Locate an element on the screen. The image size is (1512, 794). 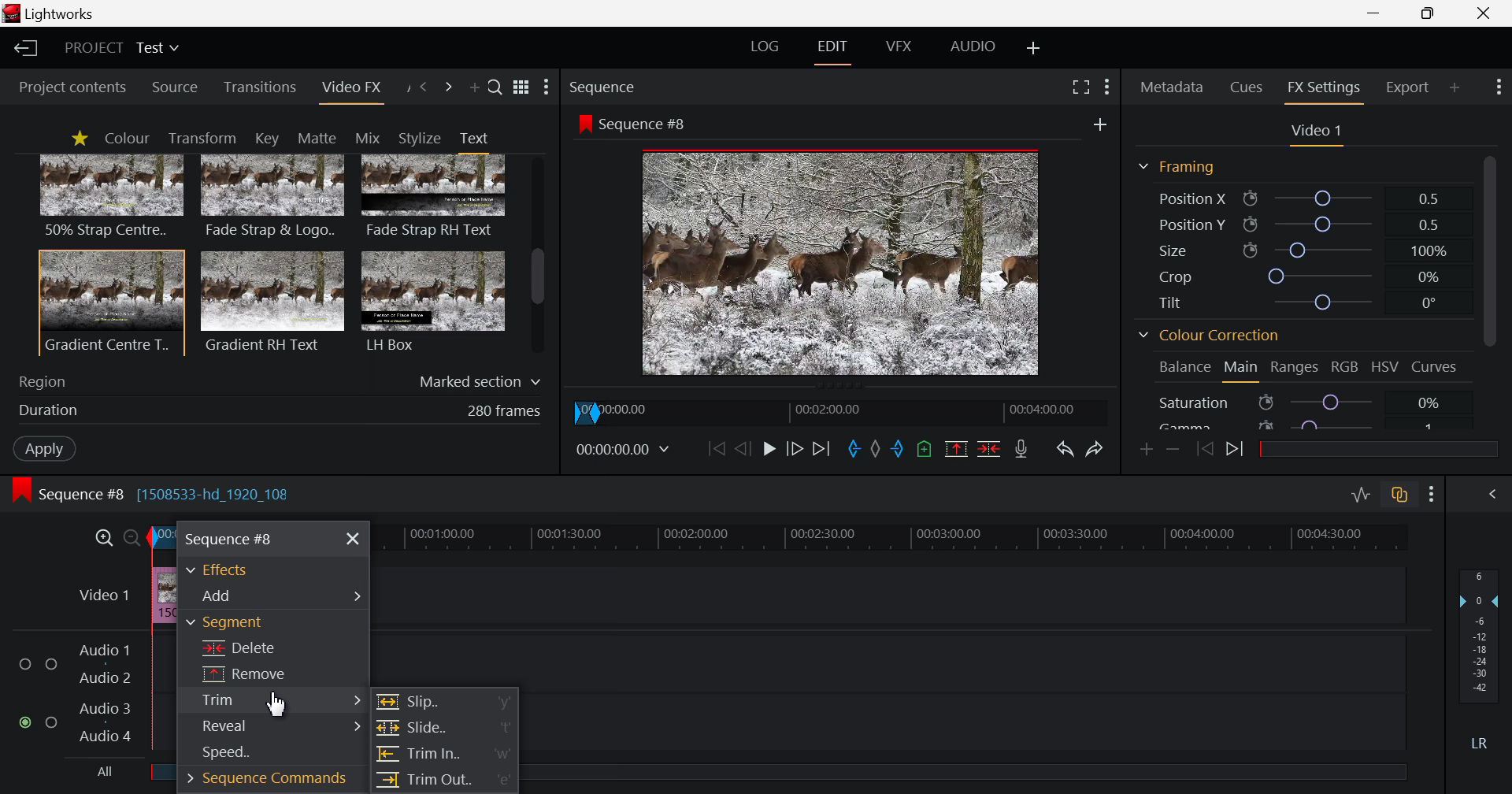
Metadata is located at coordinates (1173, 84).